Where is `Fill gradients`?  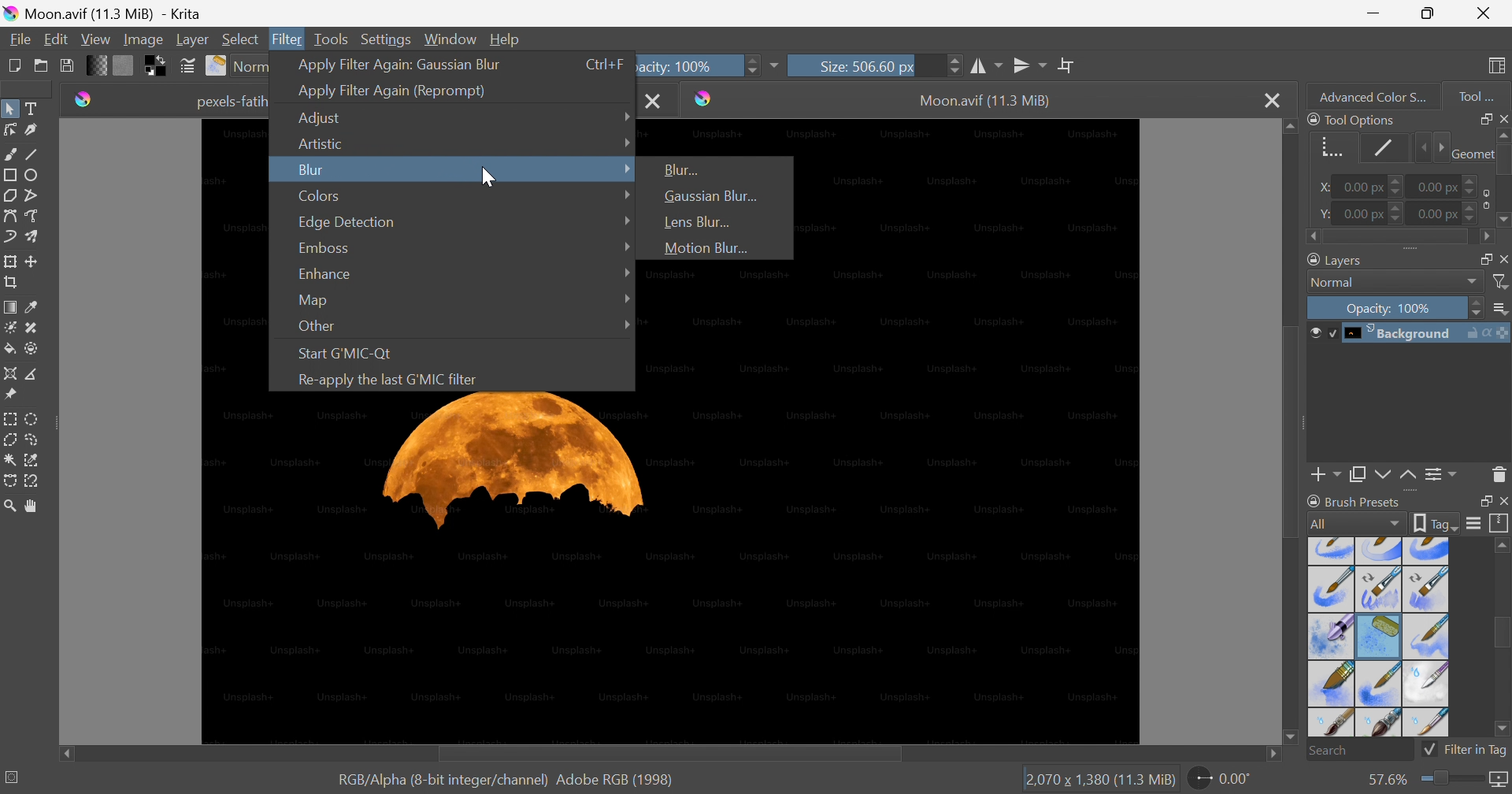 Fill gradients is located at coordinates (94, 65).